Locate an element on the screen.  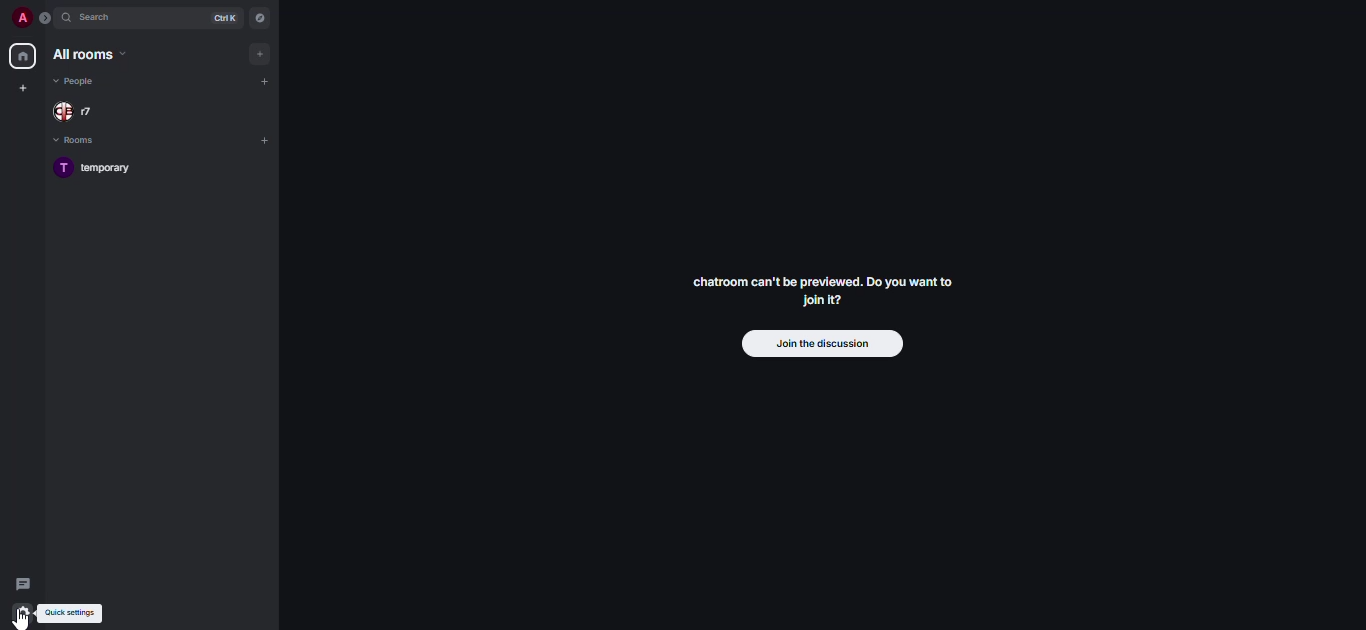
expand is located at coordinates (47, 22).